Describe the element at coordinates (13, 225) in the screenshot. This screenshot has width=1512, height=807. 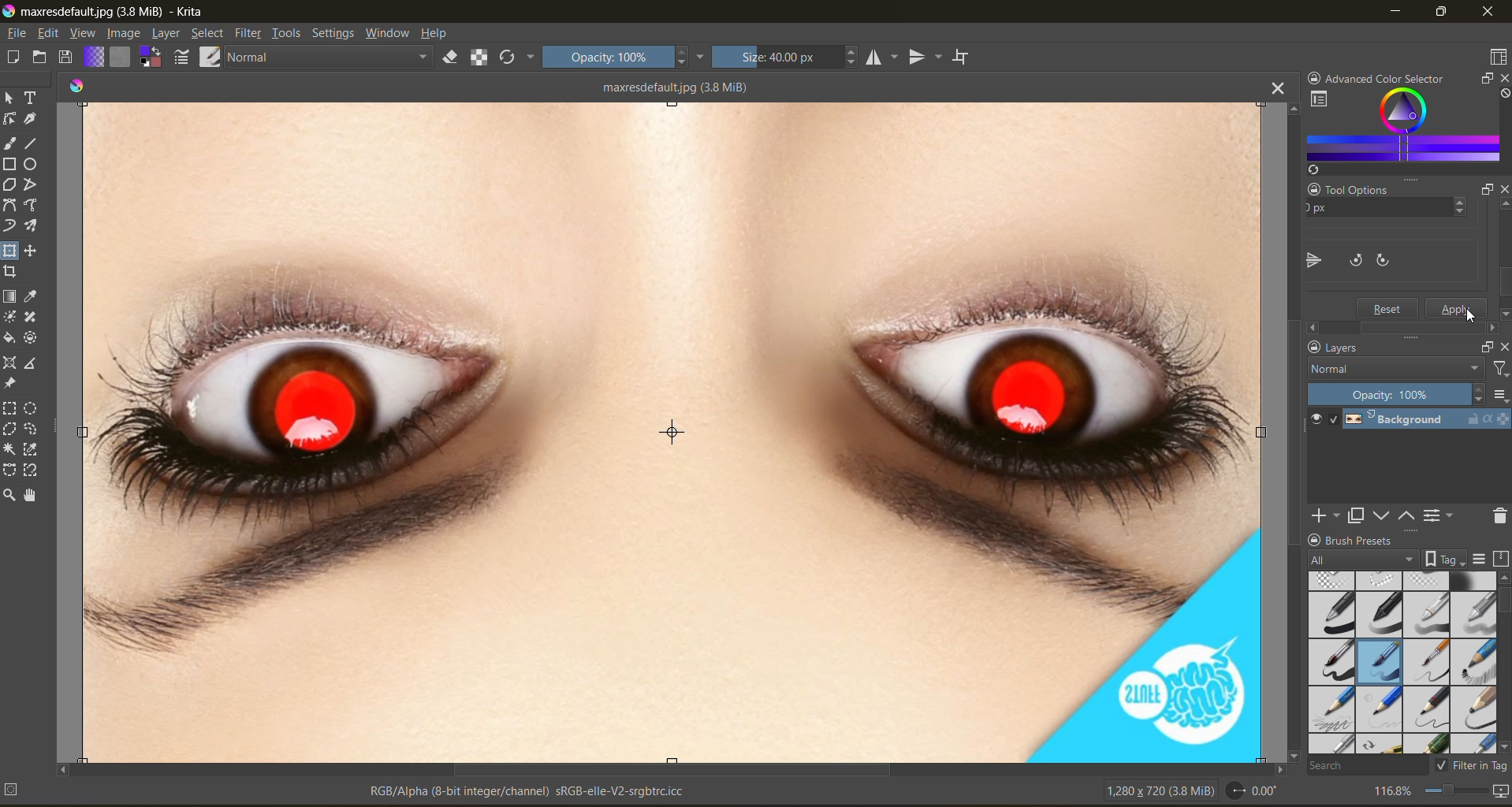
I see `tool` at that location.